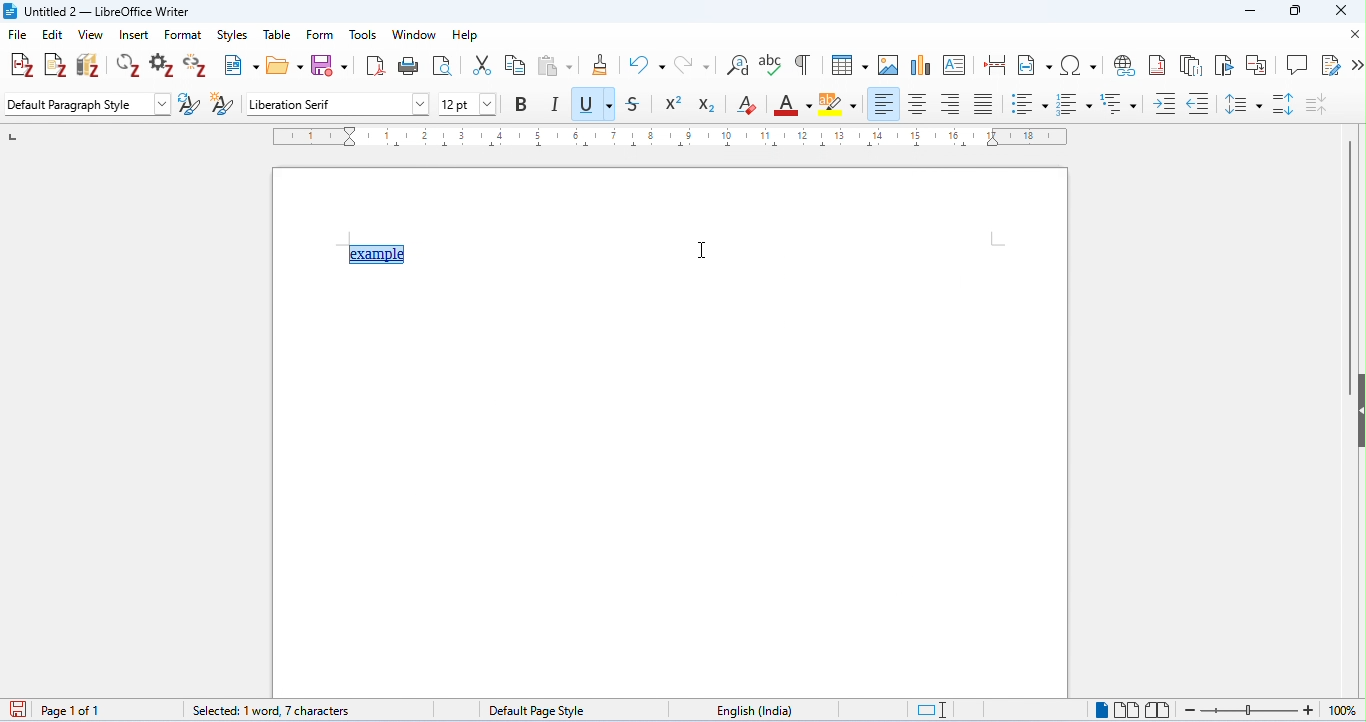  Describe the element at coordinates (1357, 67) in the screenshot. I see `more` at that location.